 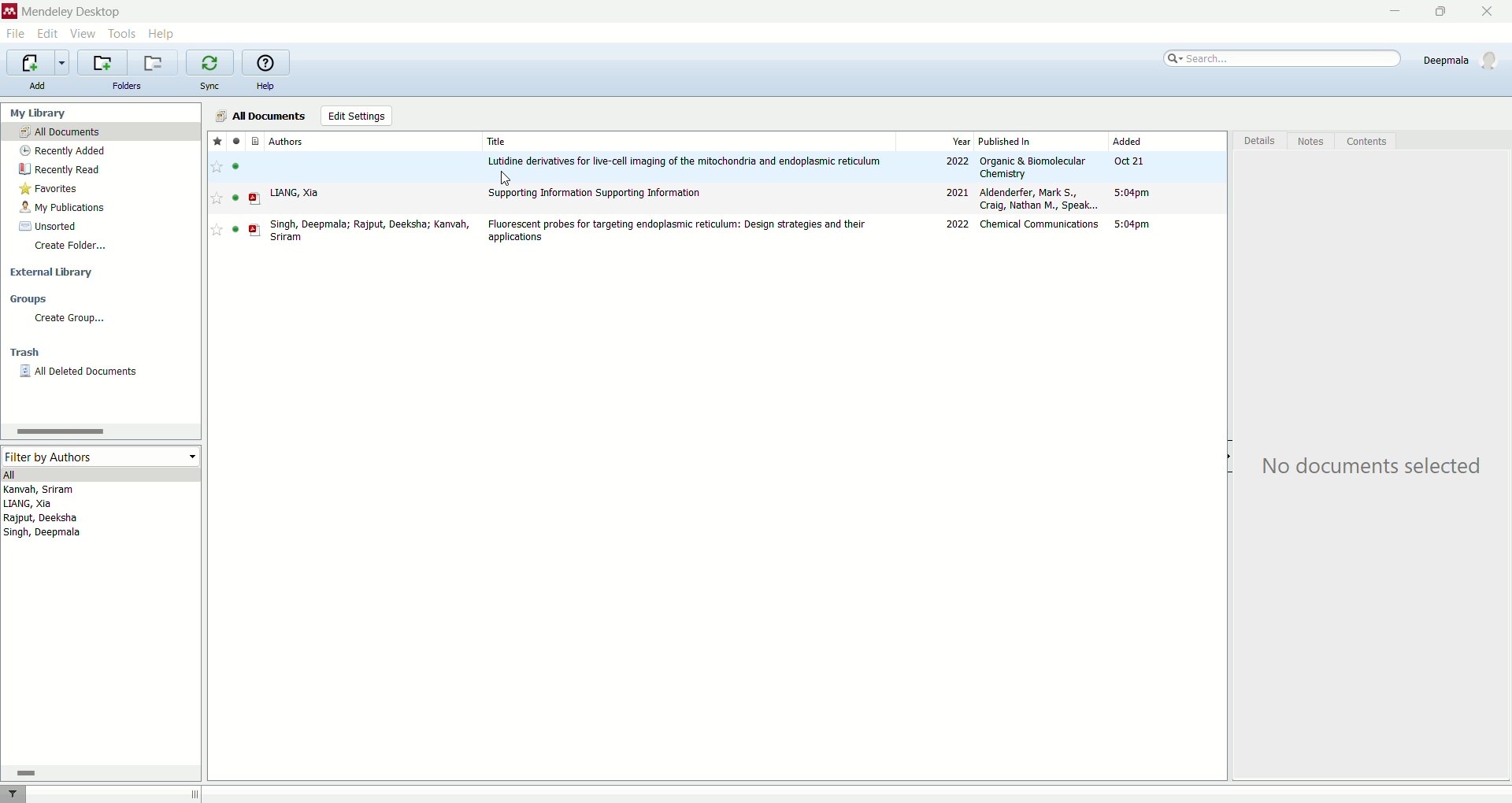 I want to click on horizontal scroll bar, so click(x=99, y=431).